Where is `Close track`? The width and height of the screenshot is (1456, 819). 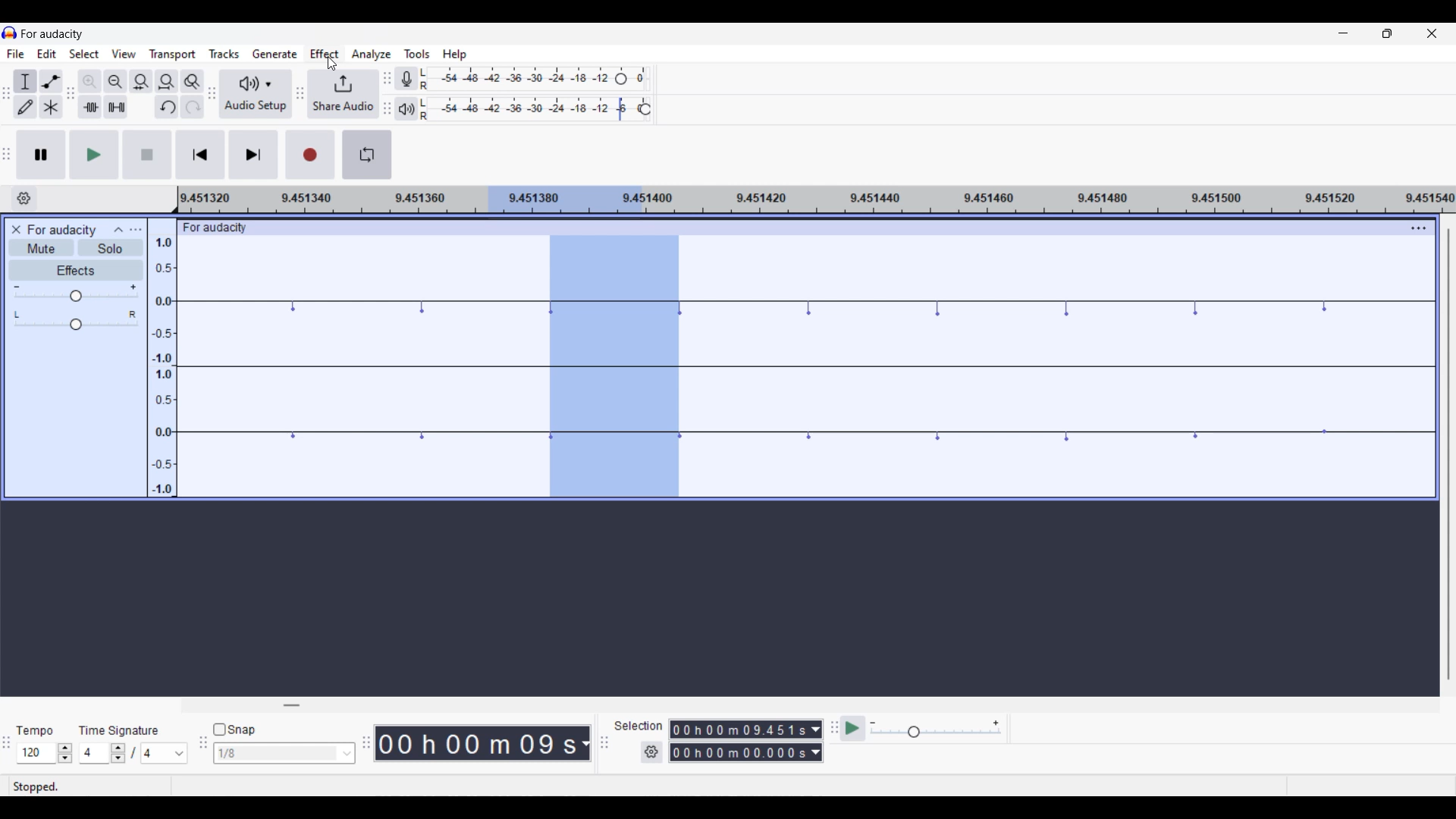
Close track is located at coordinates (17, 230).